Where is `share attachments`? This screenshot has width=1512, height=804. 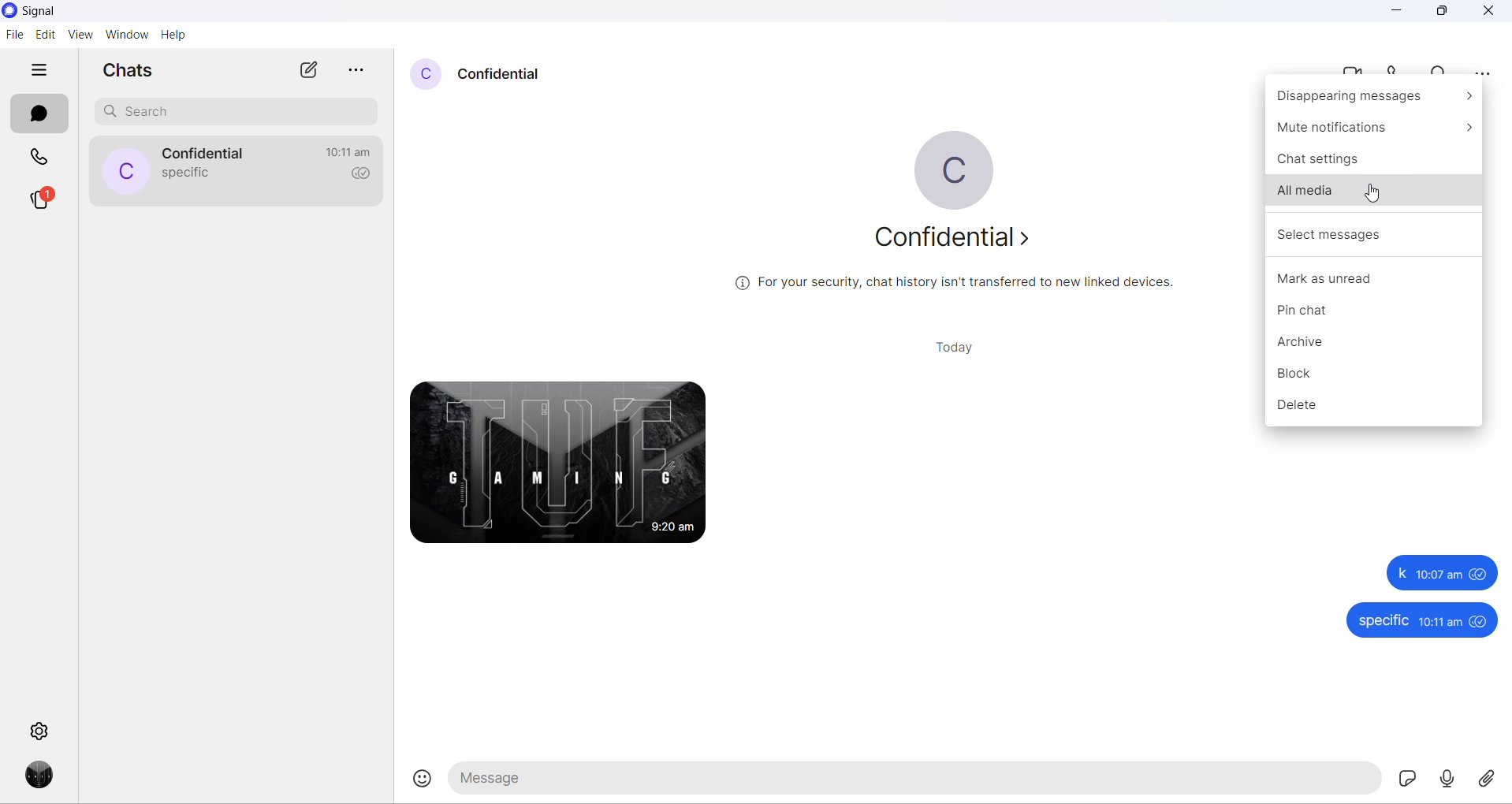 share attachments is located at coordinates (1492, 780).